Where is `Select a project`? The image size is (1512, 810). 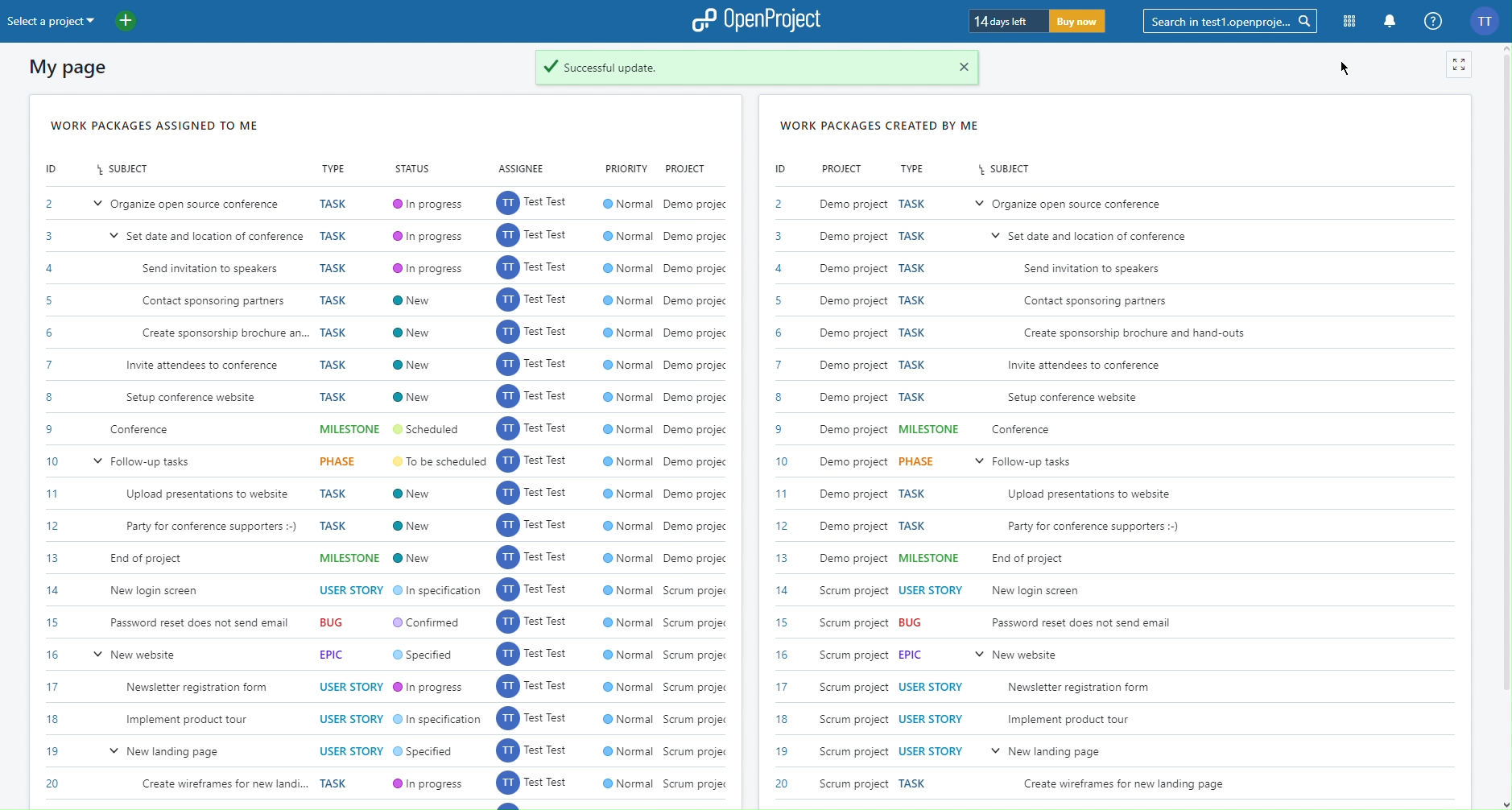 Select a project is located at coordinates (109, 23).